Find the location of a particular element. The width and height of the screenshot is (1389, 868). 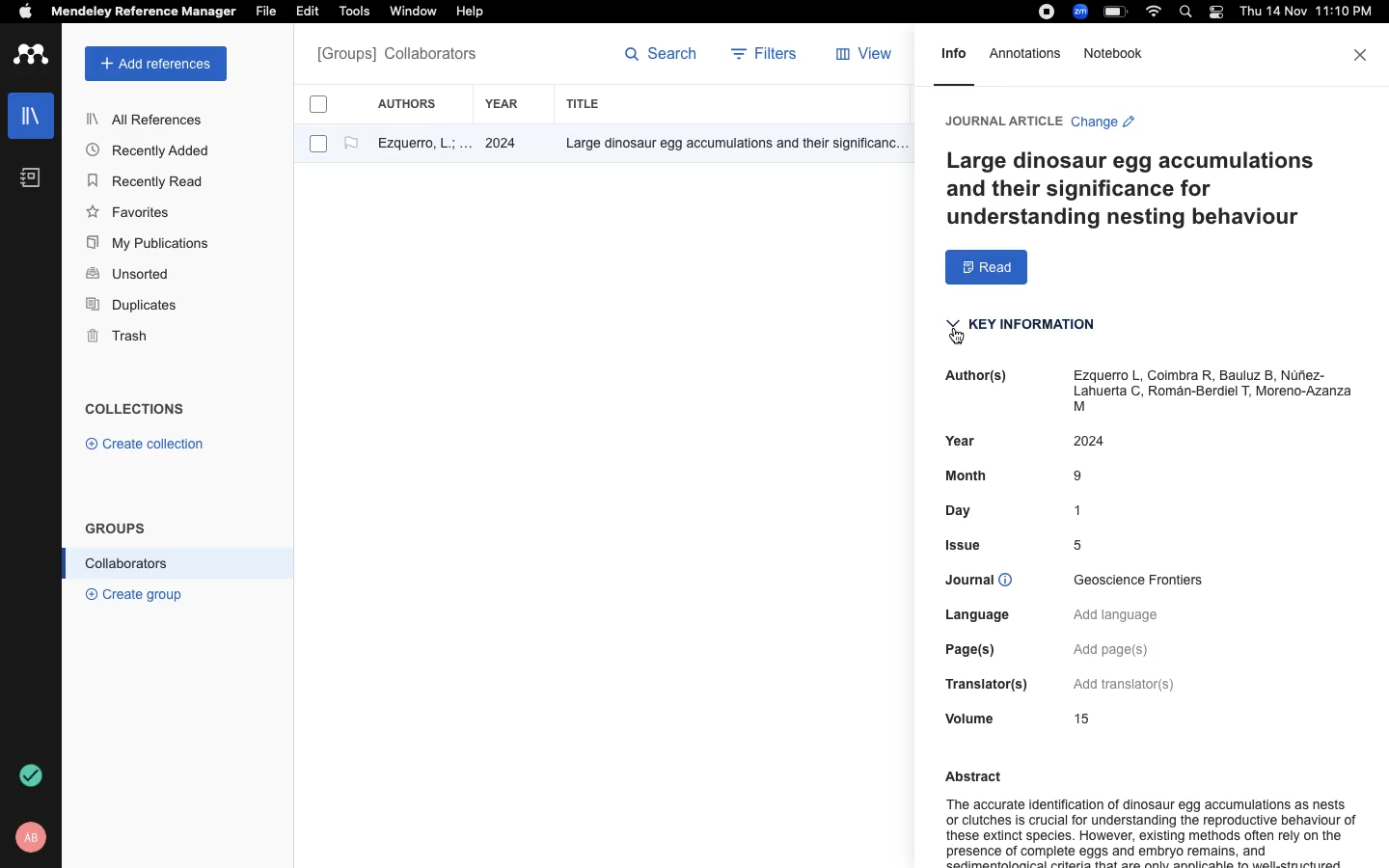

Edit is located at coordinates (311, 13).